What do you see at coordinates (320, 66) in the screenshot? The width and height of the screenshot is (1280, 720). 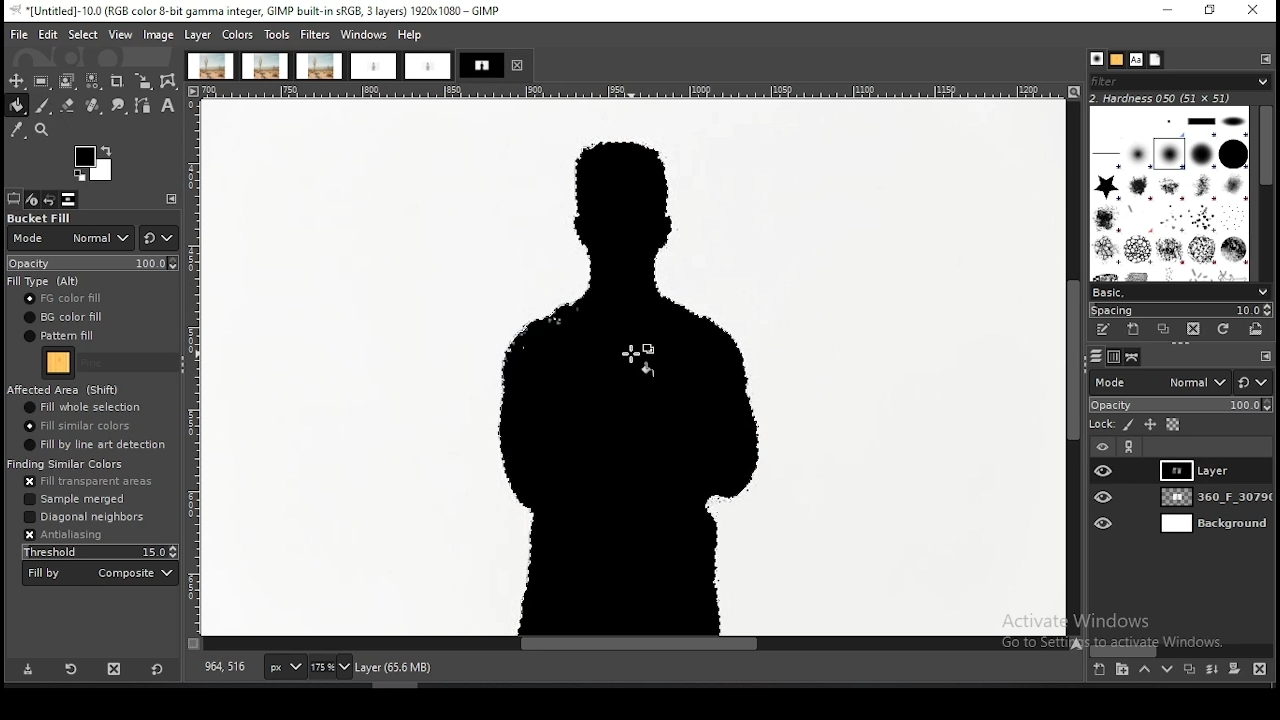 I see `project tab` at bounding box center [320, 66].